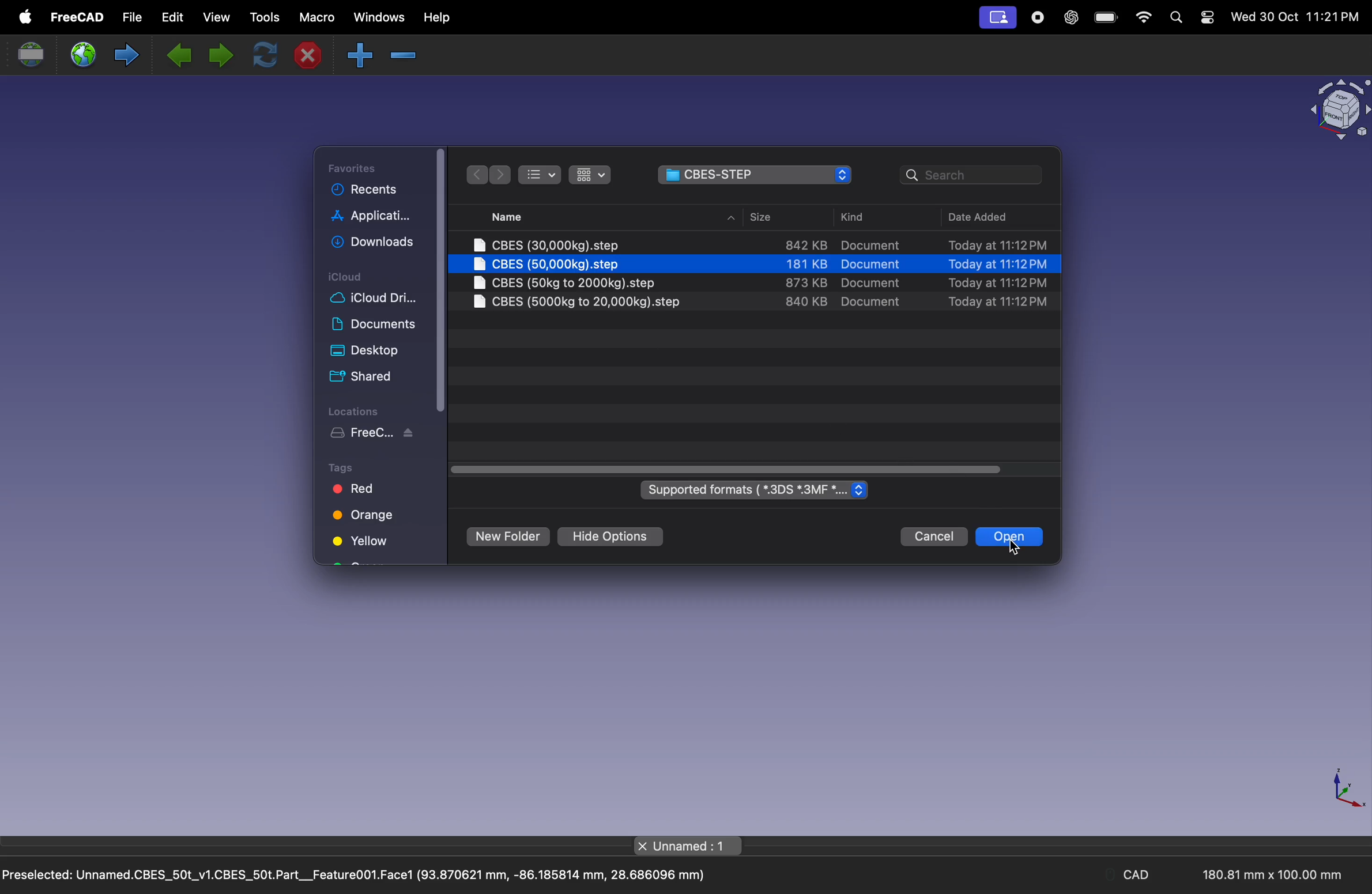 The image size is (1372, 894). What do you see at coordinates (367, 352) in the screenshot?
I see `desktop` at bounding box center [367, 352].